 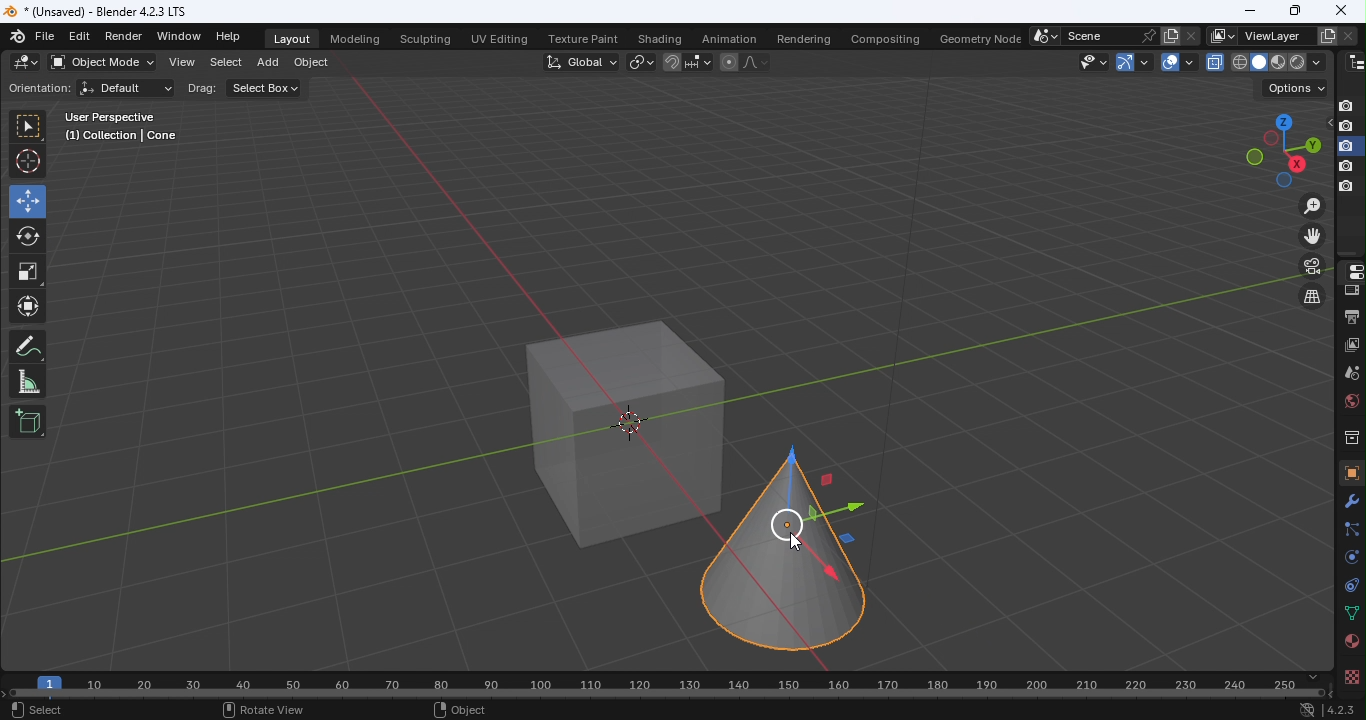 What do you see at coordinates (1122, 61) in the screenshot?
I see `Gizmo` at bounding box center [1122, 61].